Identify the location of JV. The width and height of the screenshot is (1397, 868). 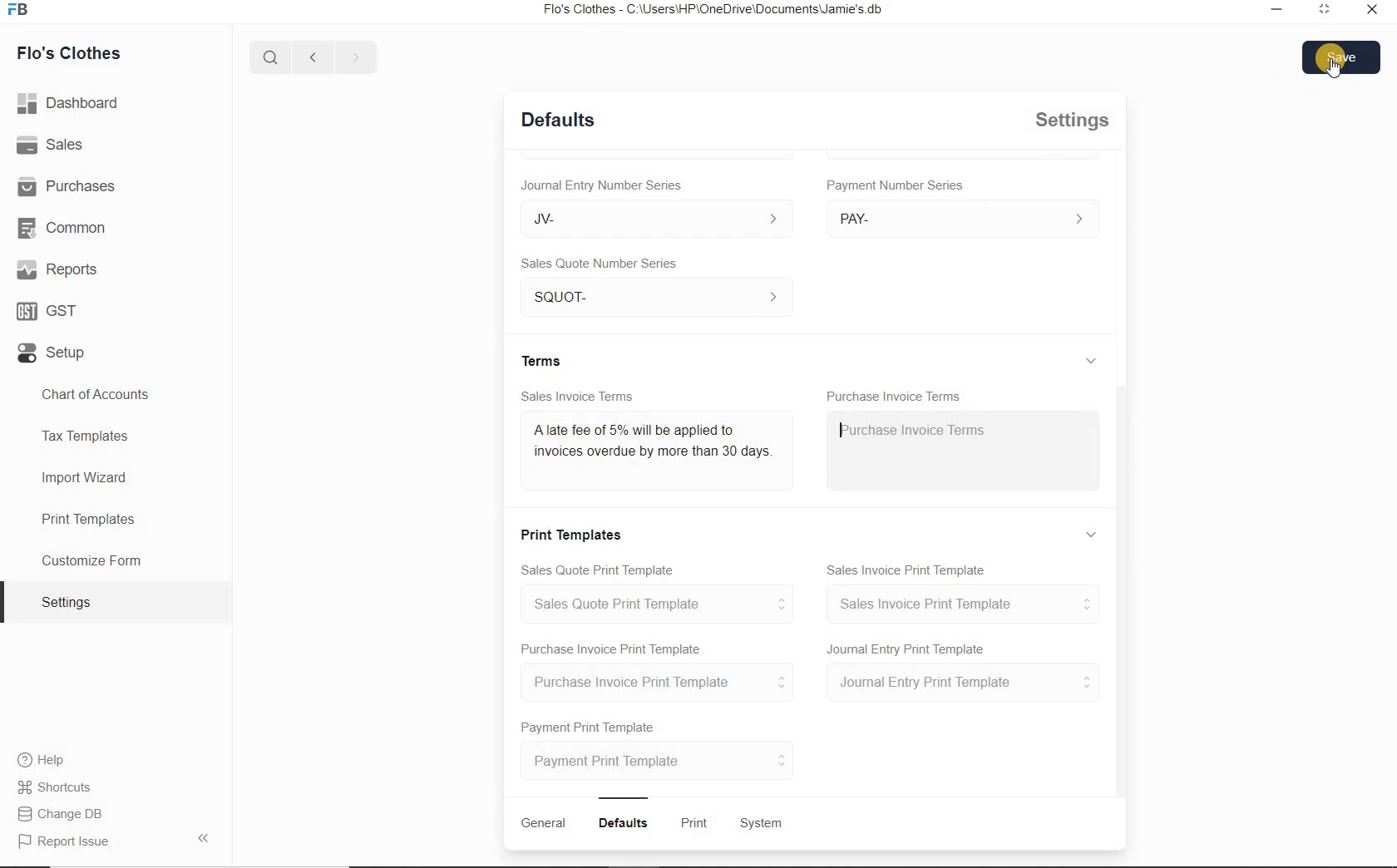
(649, 218).